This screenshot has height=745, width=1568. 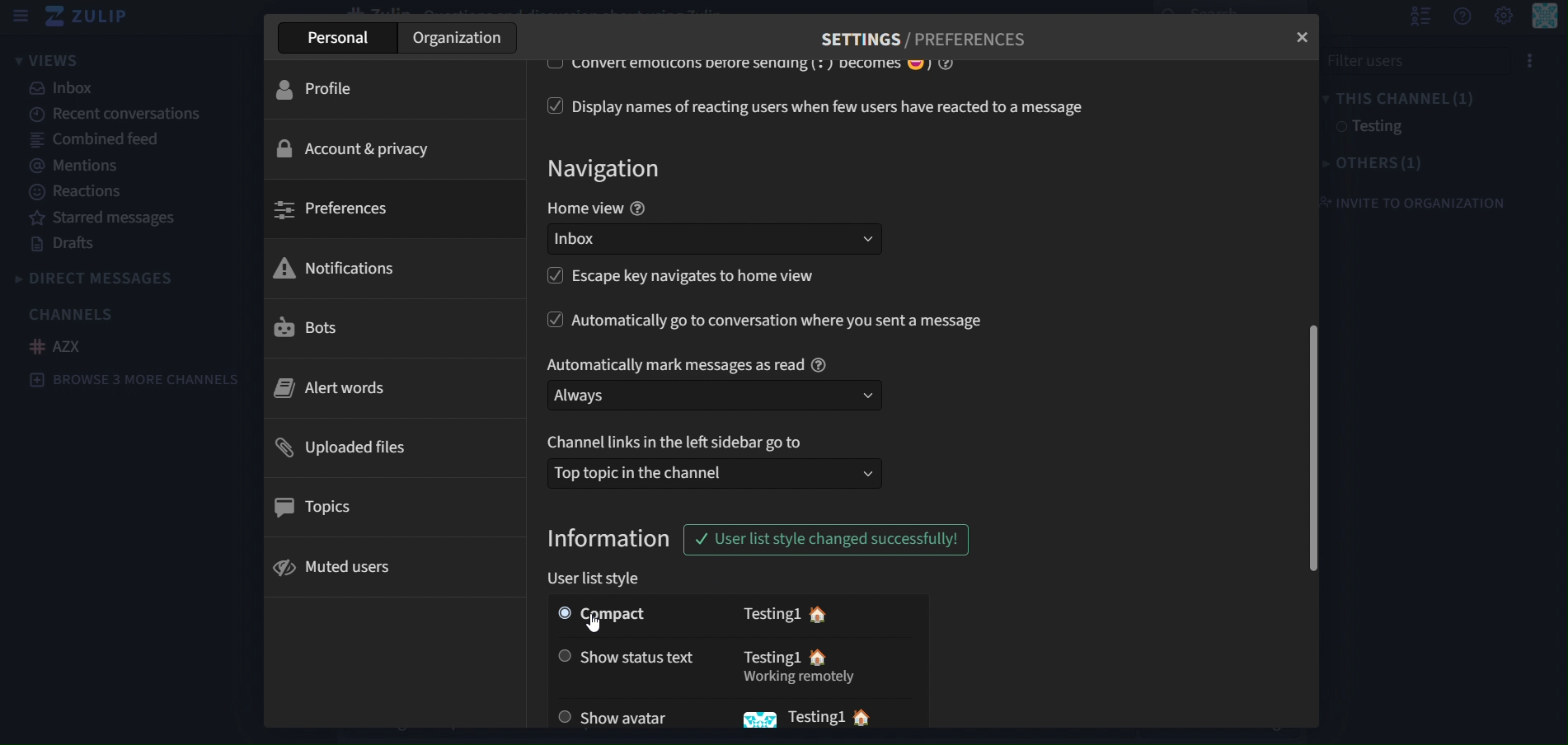 I want to click on invite to organization, so click(x=1422, y=202).